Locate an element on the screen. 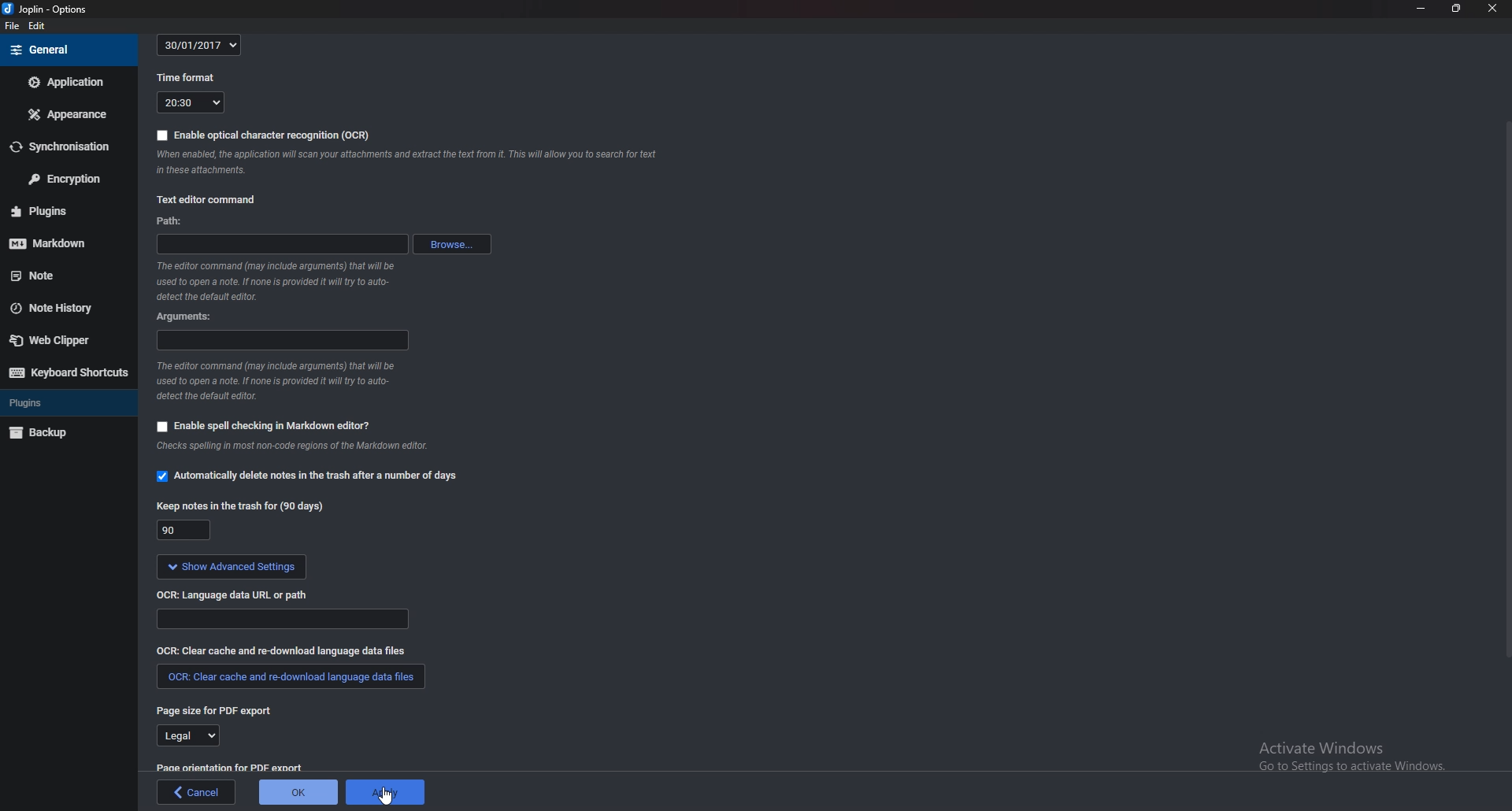  Note history is located at coordinates (58, 308).